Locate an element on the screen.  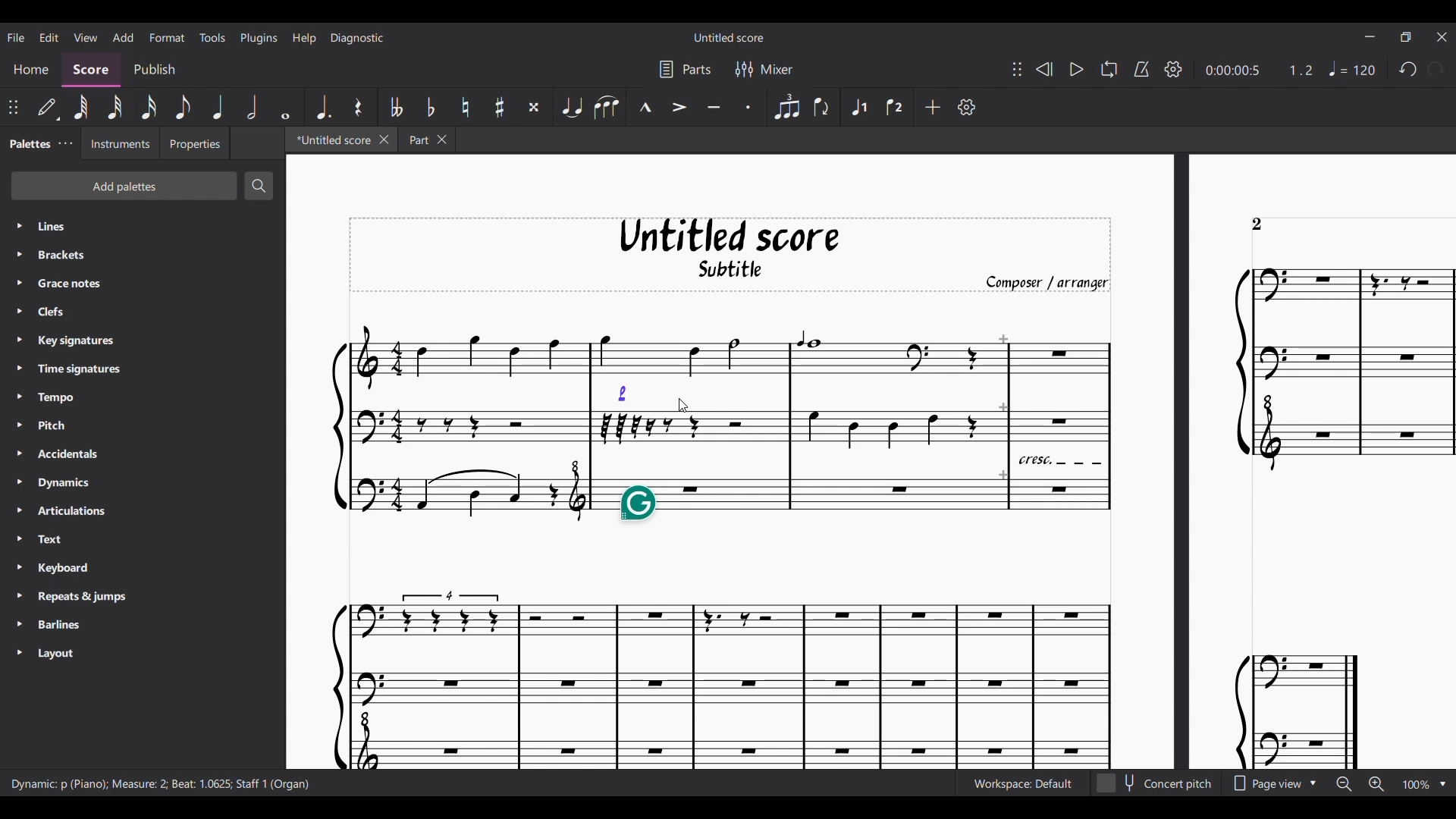
Customize toolbar is located at coordinates (967, 107).